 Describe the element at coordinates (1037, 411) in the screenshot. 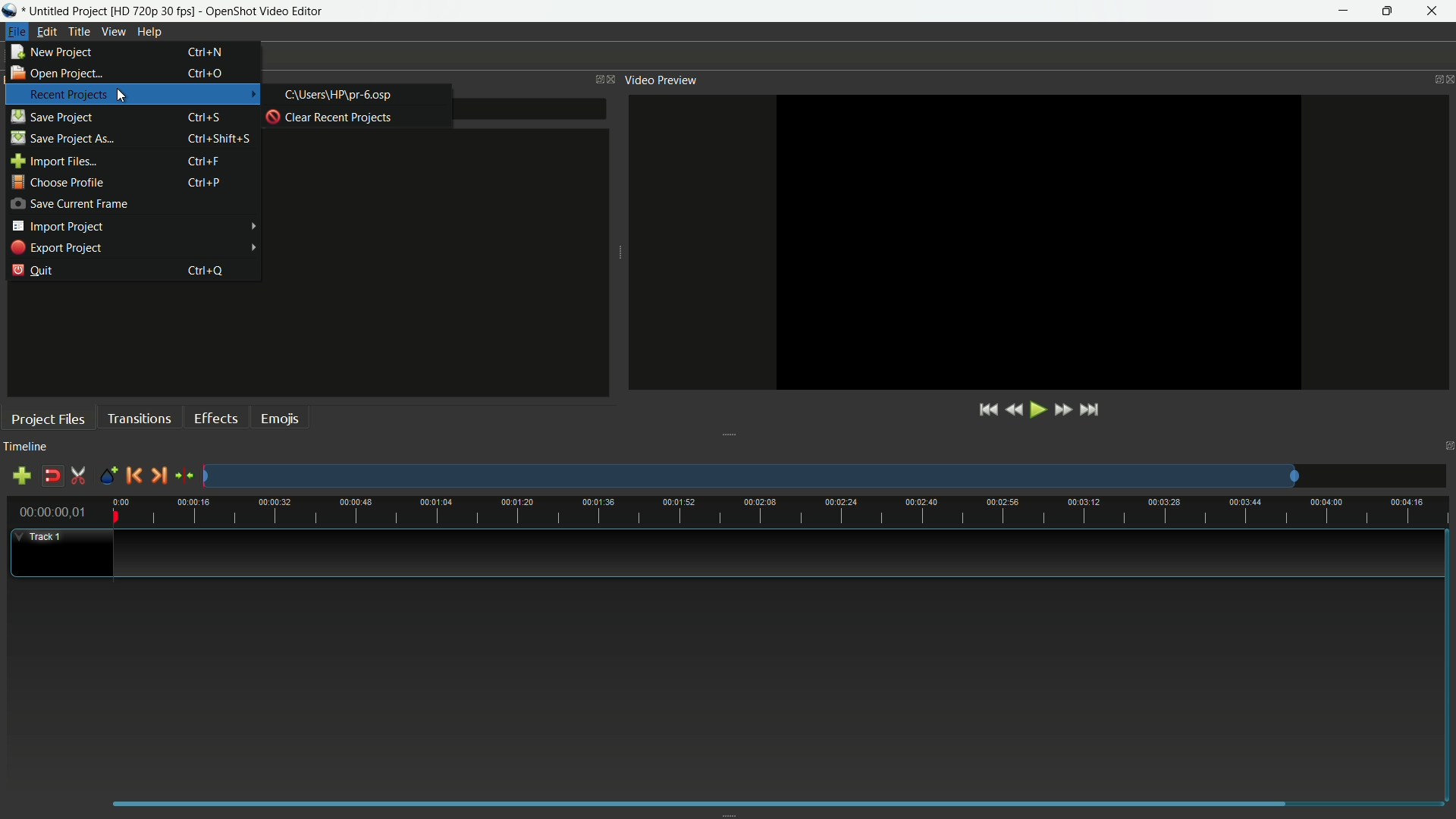

I see `play or pause` at that location.